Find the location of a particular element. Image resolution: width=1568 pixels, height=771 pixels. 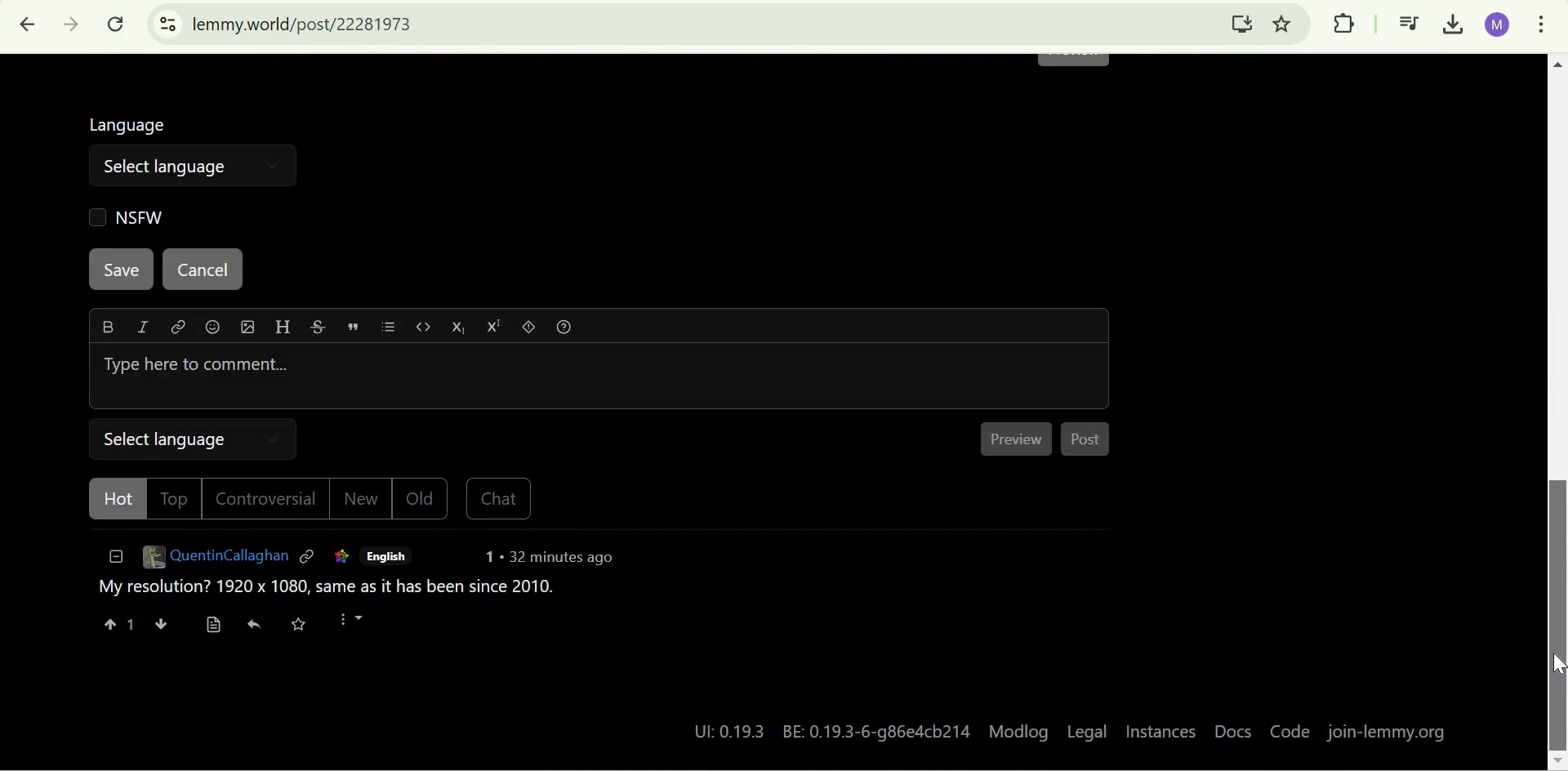

Top is located at coordinates (175, 498).